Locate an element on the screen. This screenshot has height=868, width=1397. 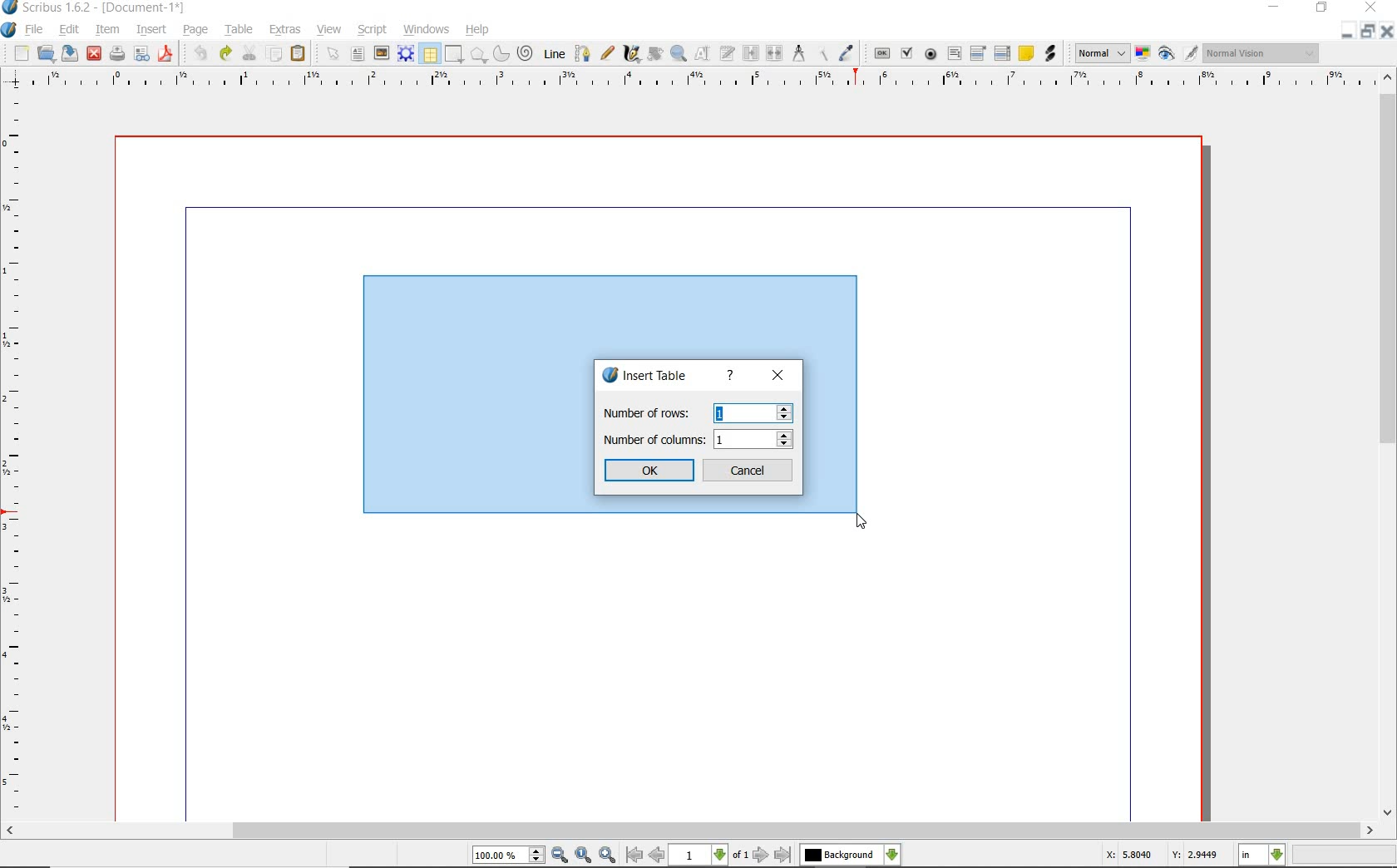
image preview quality is located at coordinates (1101, 52).